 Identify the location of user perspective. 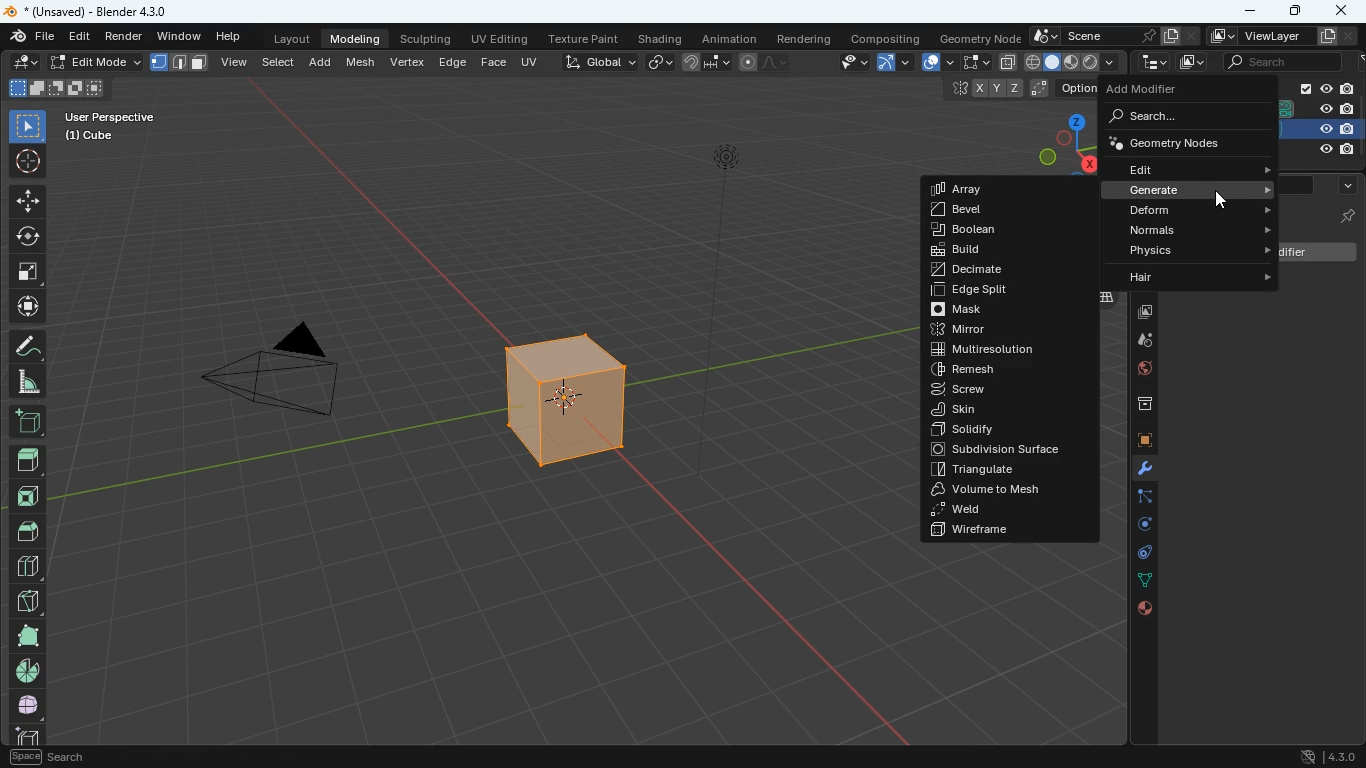
(108, 126).